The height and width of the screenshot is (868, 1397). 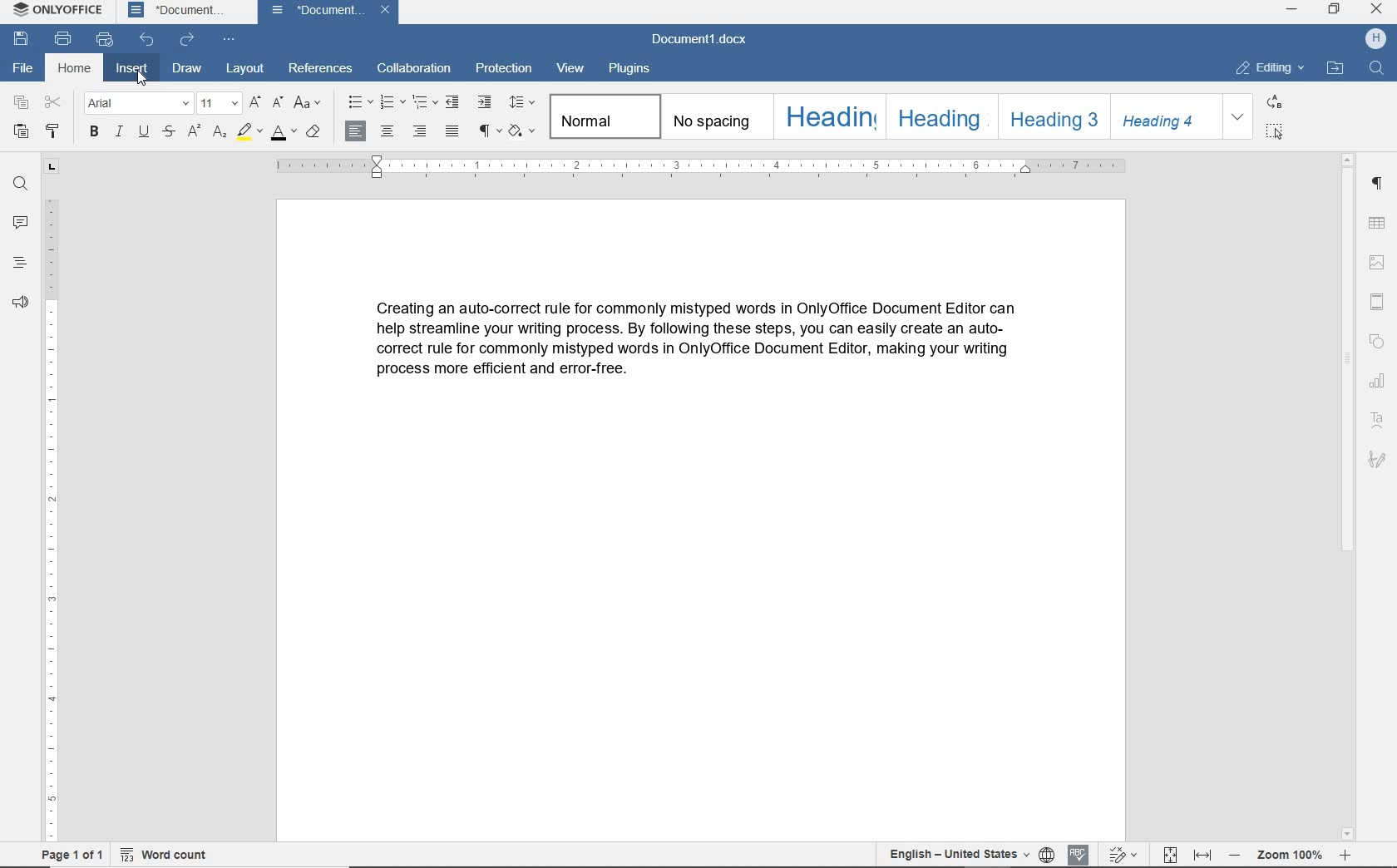 I want to click on draw, so click(x=187, y=70).